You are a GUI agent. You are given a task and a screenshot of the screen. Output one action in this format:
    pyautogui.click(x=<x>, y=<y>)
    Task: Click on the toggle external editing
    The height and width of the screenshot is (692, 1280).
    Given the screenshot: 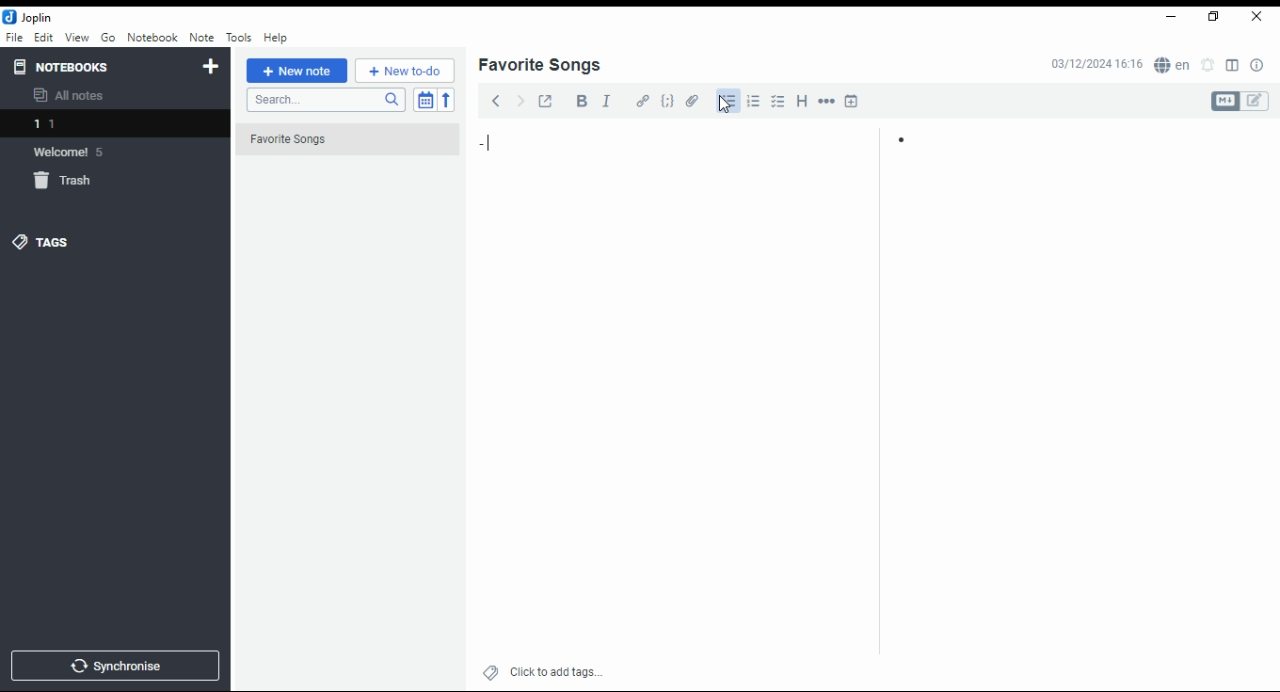 What is the action you would take?
    pyautogui.click(x=546, y=100)
    